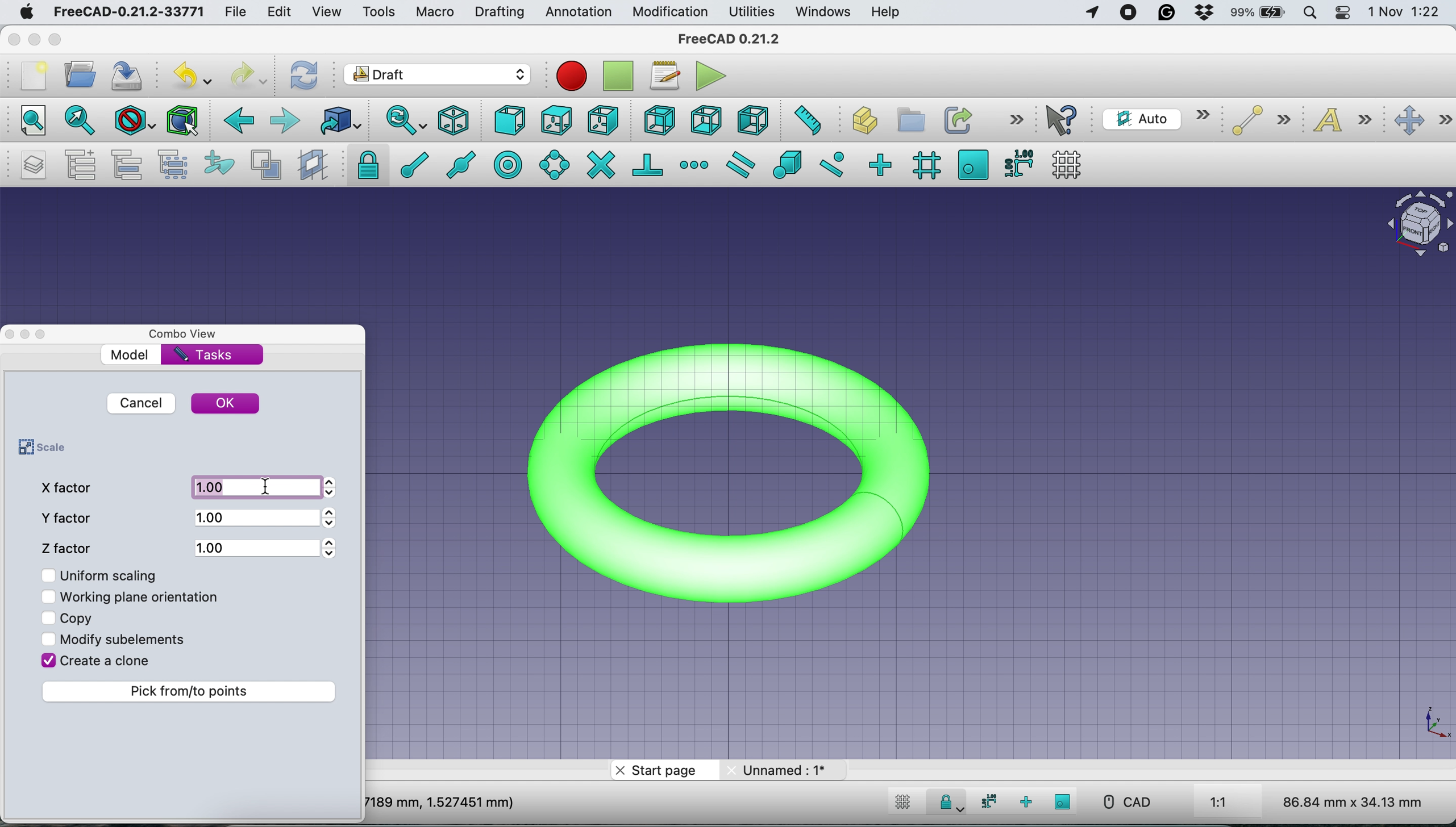  What do you see at coordinates (785, 770) in the screenshot?
I see `unnamed: 1*` at bounding box center [785, 770].